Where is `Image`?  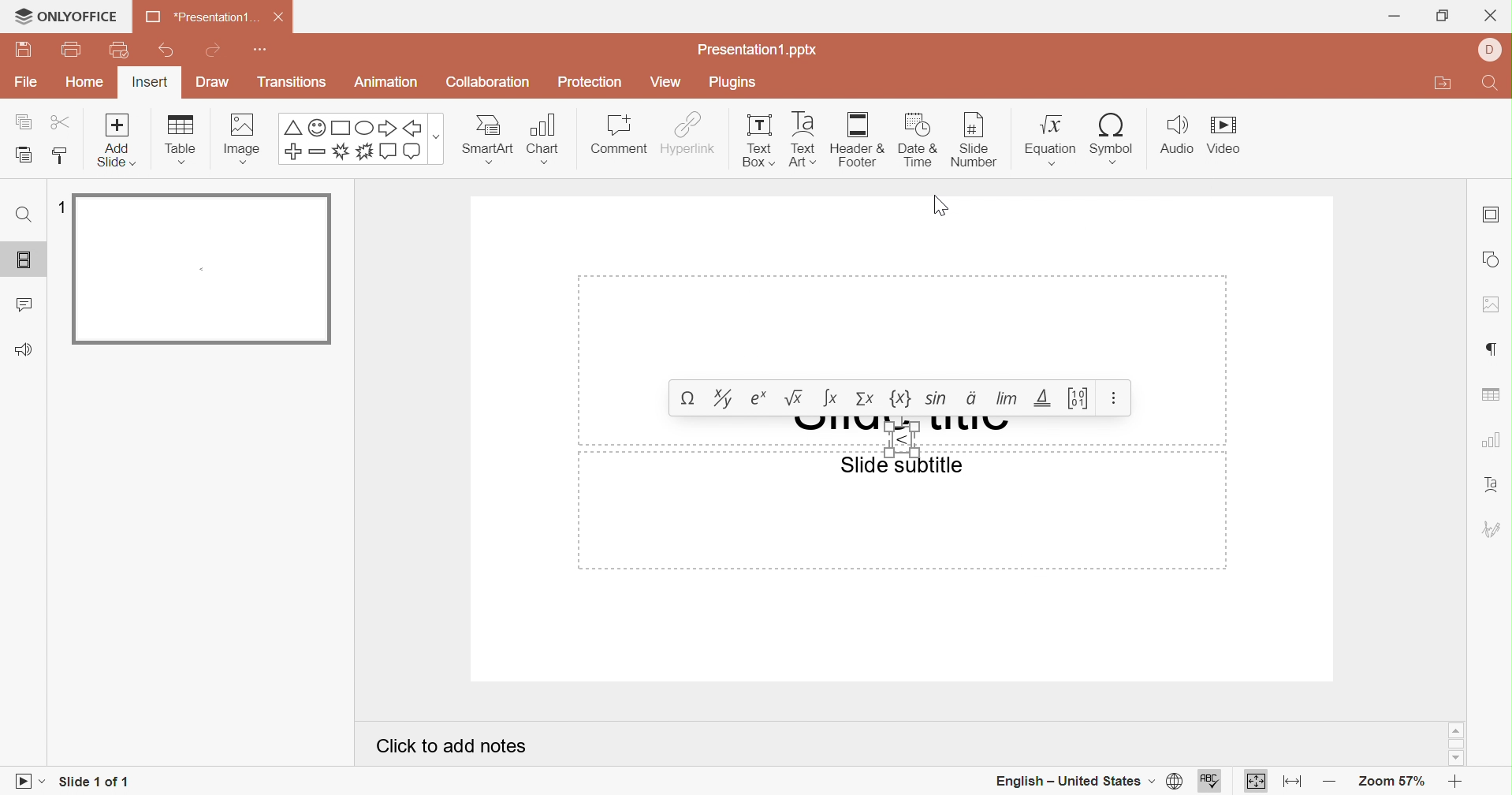
Image is located at coordinates (245, 135).